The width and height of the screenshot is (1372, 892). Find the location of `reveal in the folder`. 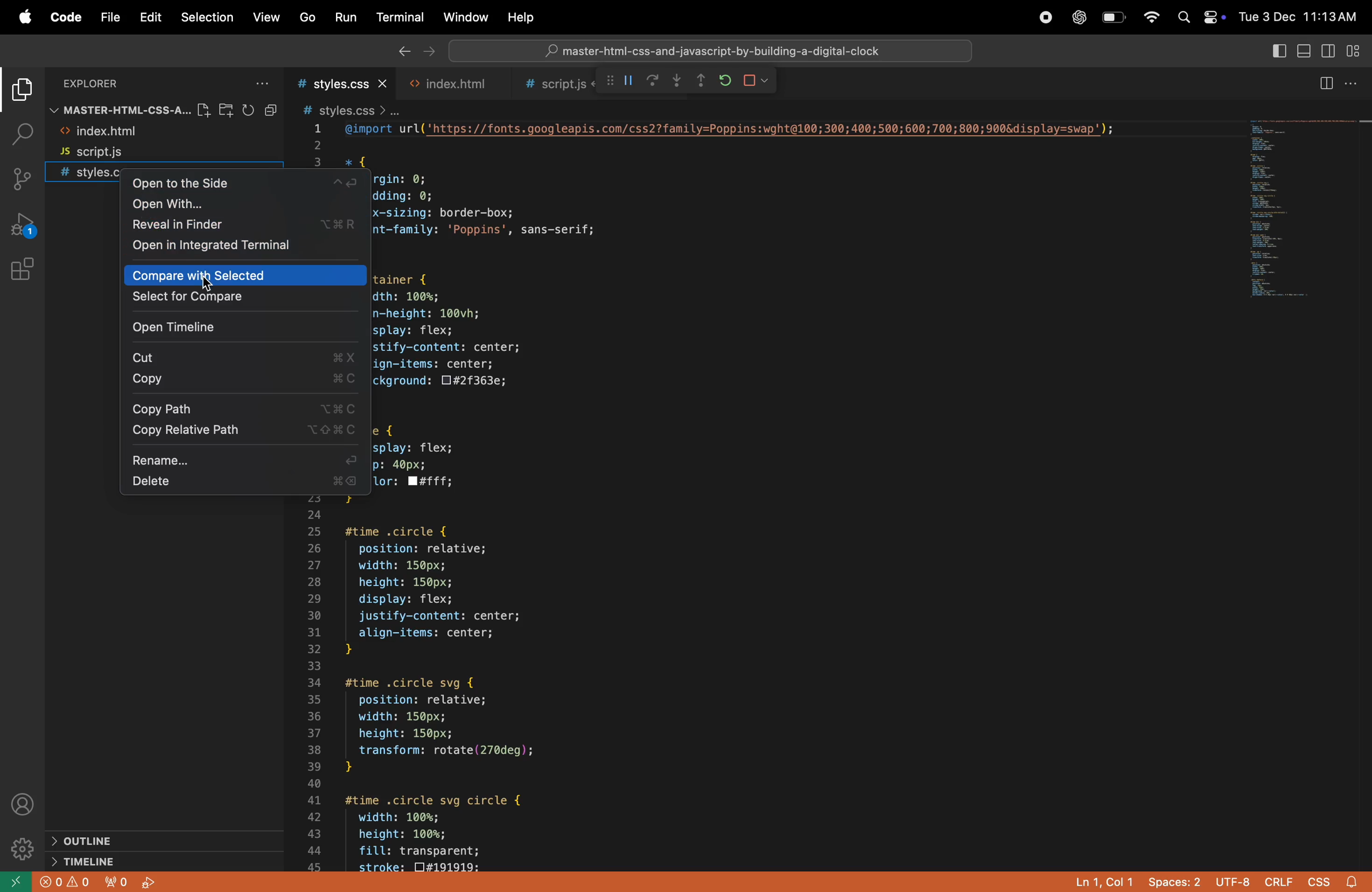

reveal in the folder is located at coordinates (244, 226).